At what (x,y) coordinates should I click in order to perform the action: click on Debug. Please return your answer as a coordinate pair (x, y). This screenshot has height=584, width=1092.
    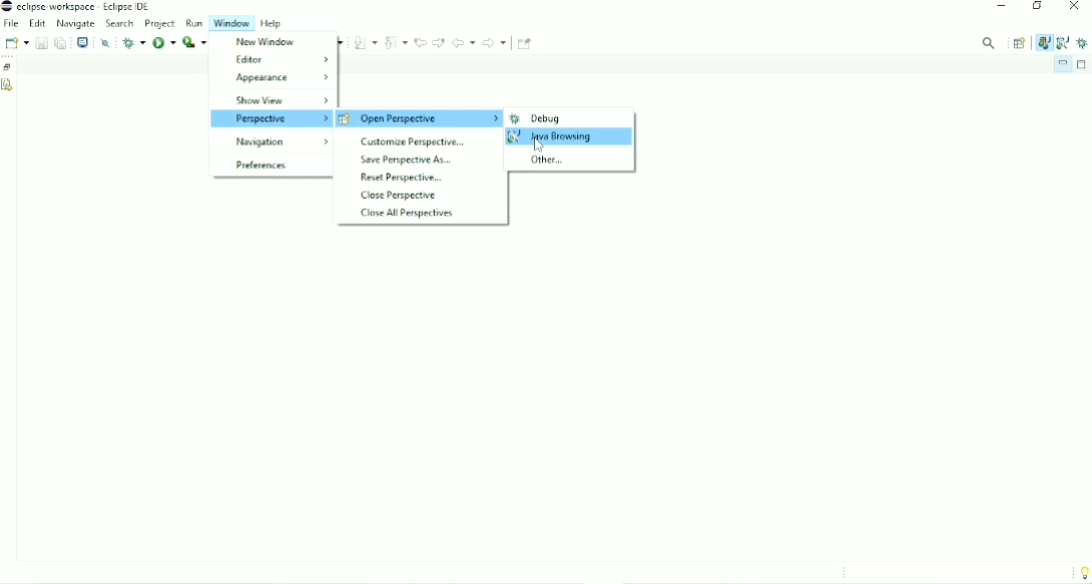
    Looking at the image, I should click on (537, 119).